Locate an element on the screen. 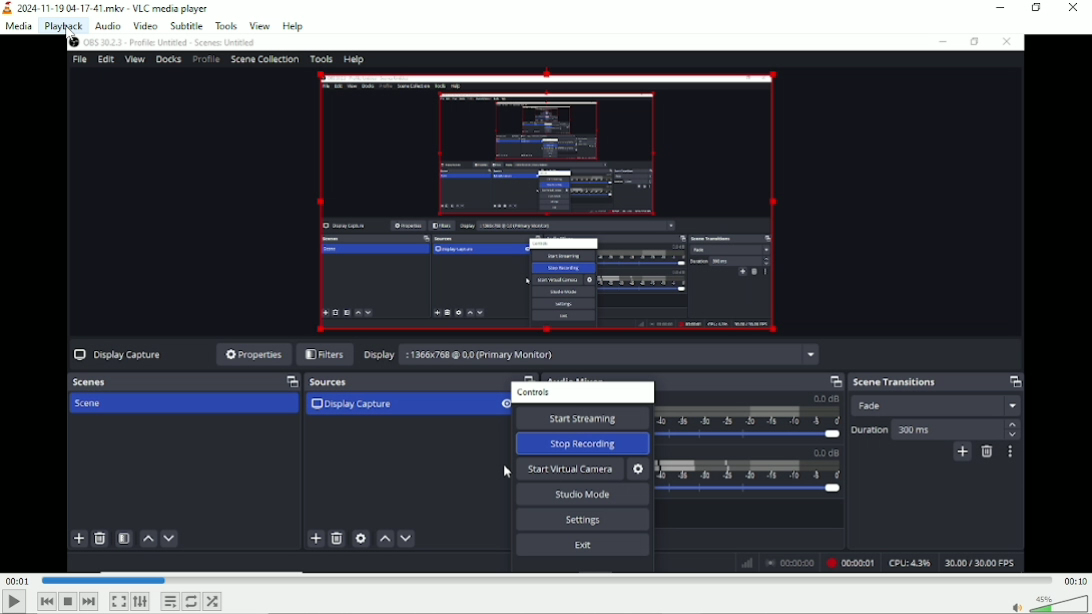  help is located at coordinates (293, 26).